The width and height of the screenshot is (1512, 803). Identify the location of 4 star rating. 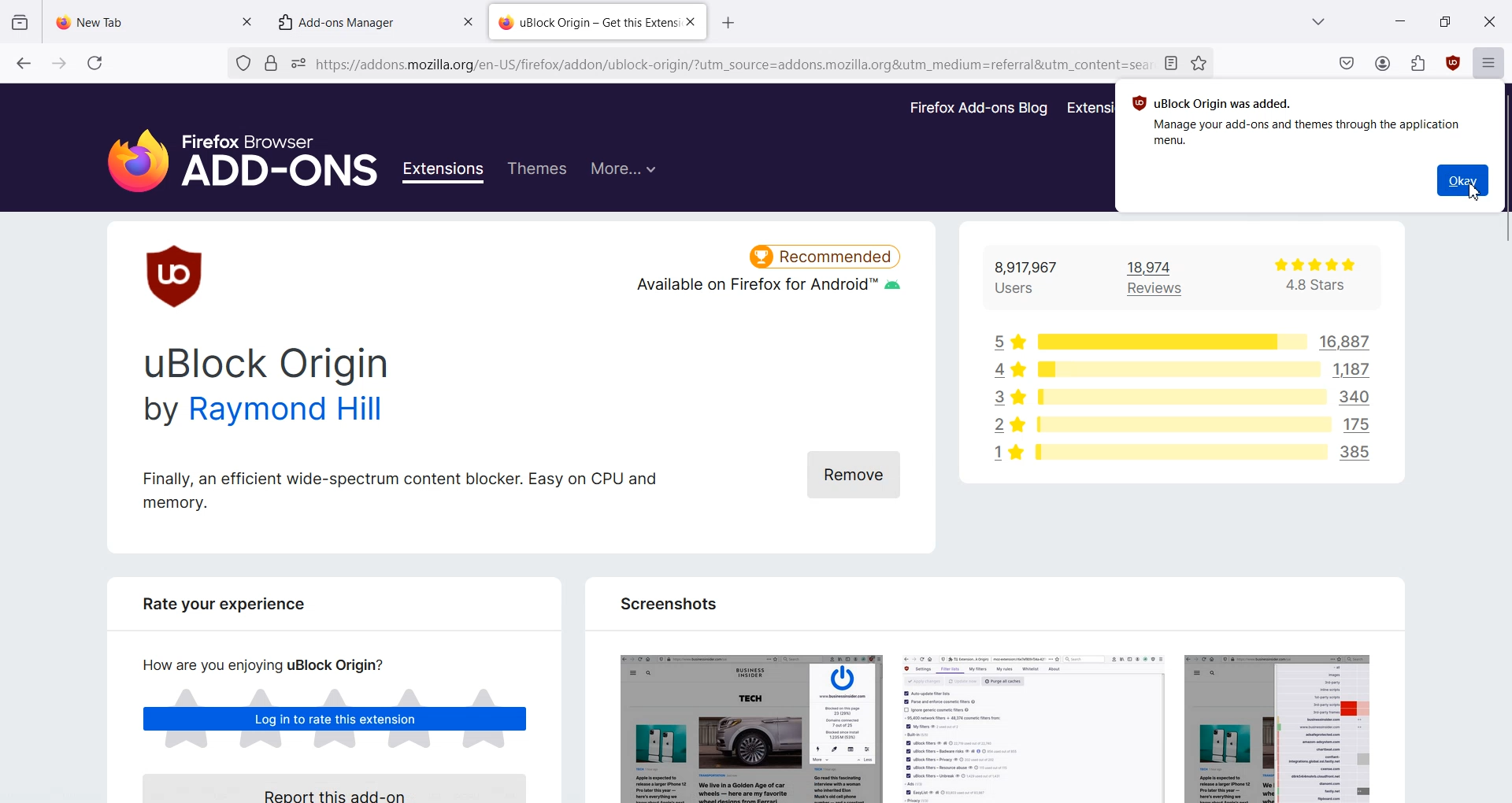
(1001, 368).